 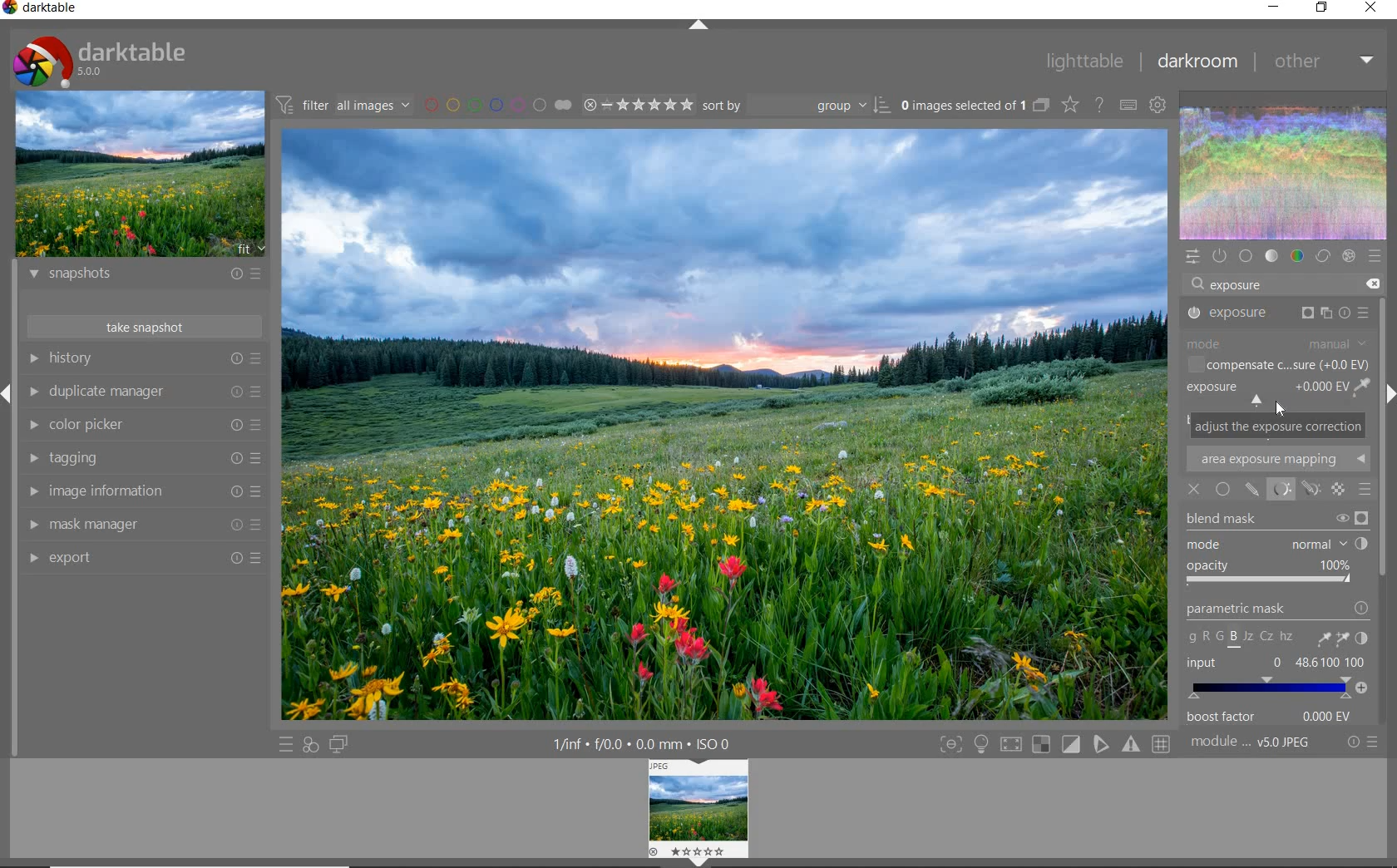 What do you see at coordinates (1251, 742) in the screenshot?
I see `module` at bounding box center [1251, 742].